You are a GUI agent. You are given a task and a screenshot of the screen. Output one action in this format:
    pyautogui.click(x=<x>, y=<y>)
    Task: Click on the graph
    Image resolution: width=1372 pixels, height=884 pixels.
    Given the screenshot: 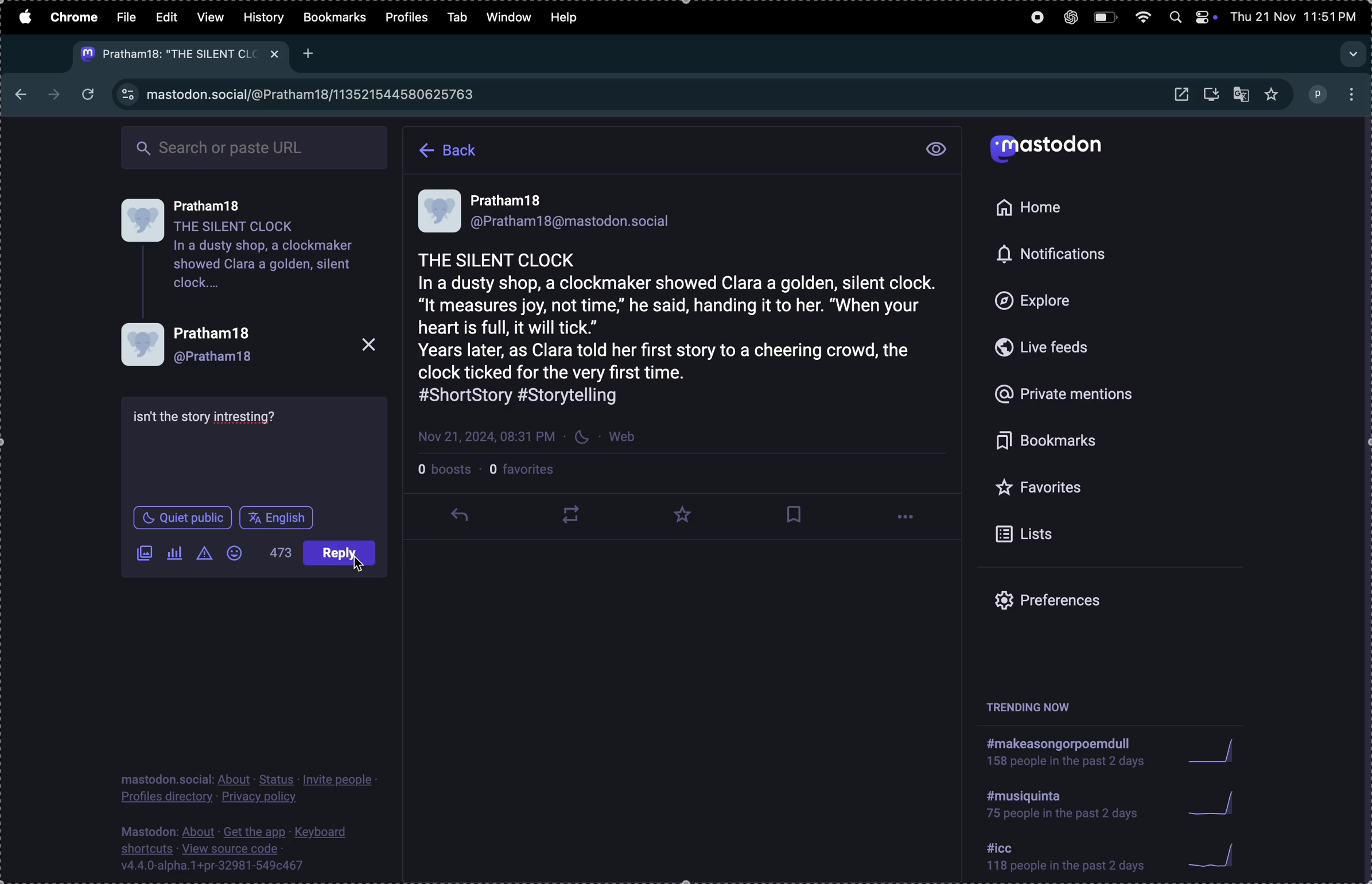 What is the action you would take?
    pyautogui.click(x=1214, y=751)
    